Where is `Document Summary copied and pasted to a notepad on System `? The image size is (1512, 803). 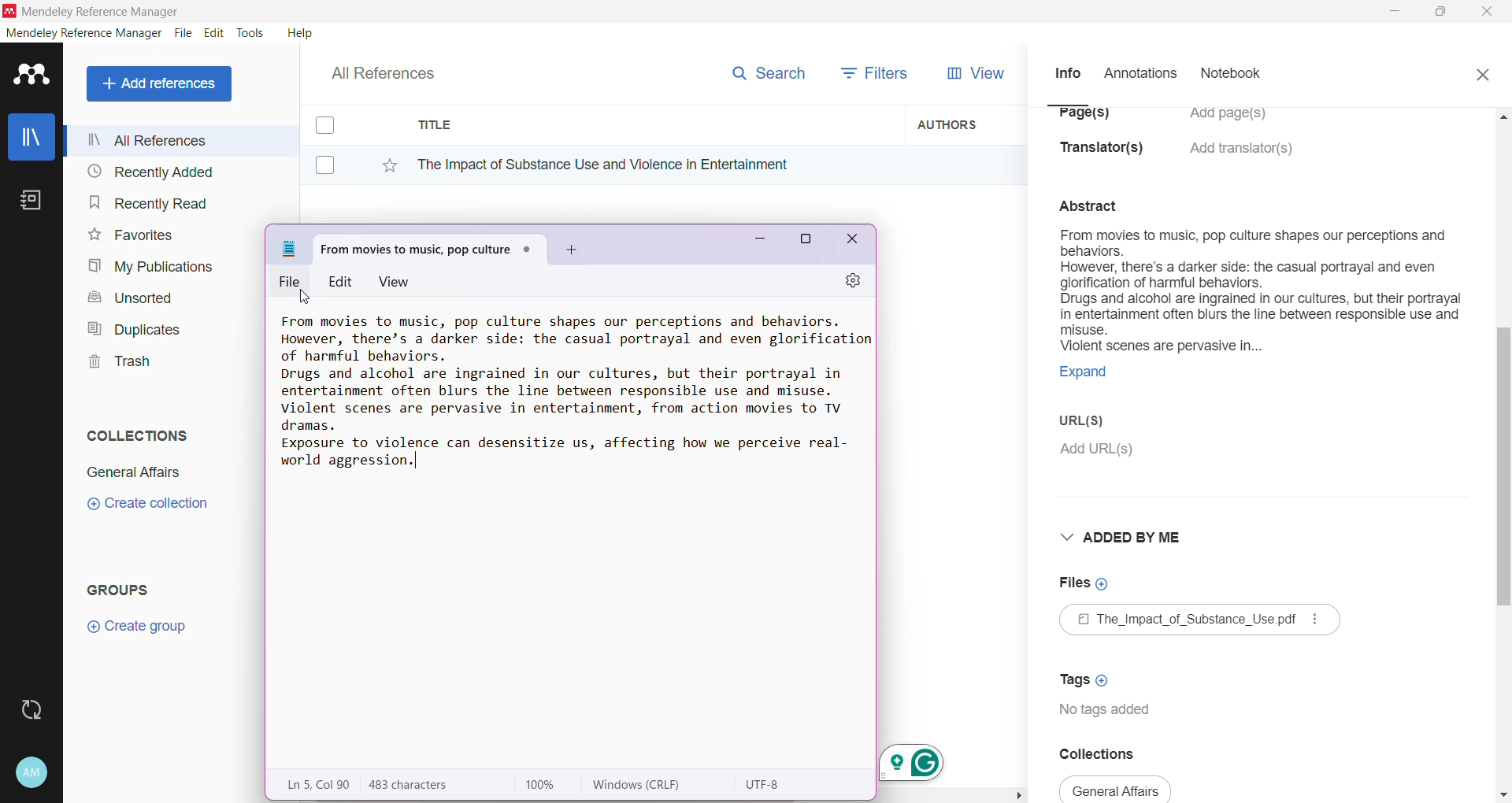
Document Summary copied and pasted to a notepad on System  is located at coordinates (573, 399).